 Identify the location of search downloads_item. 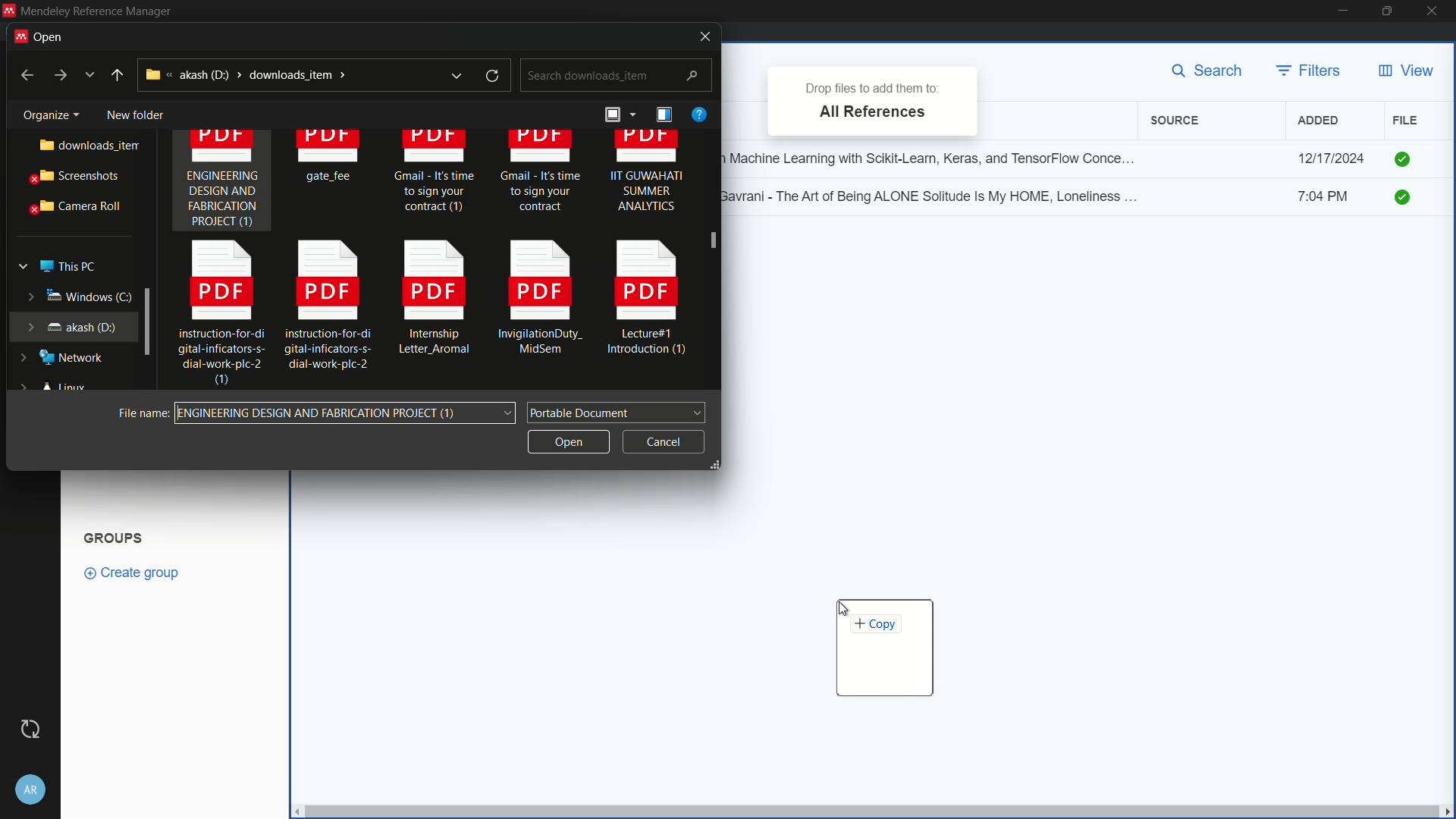
(614, 76).